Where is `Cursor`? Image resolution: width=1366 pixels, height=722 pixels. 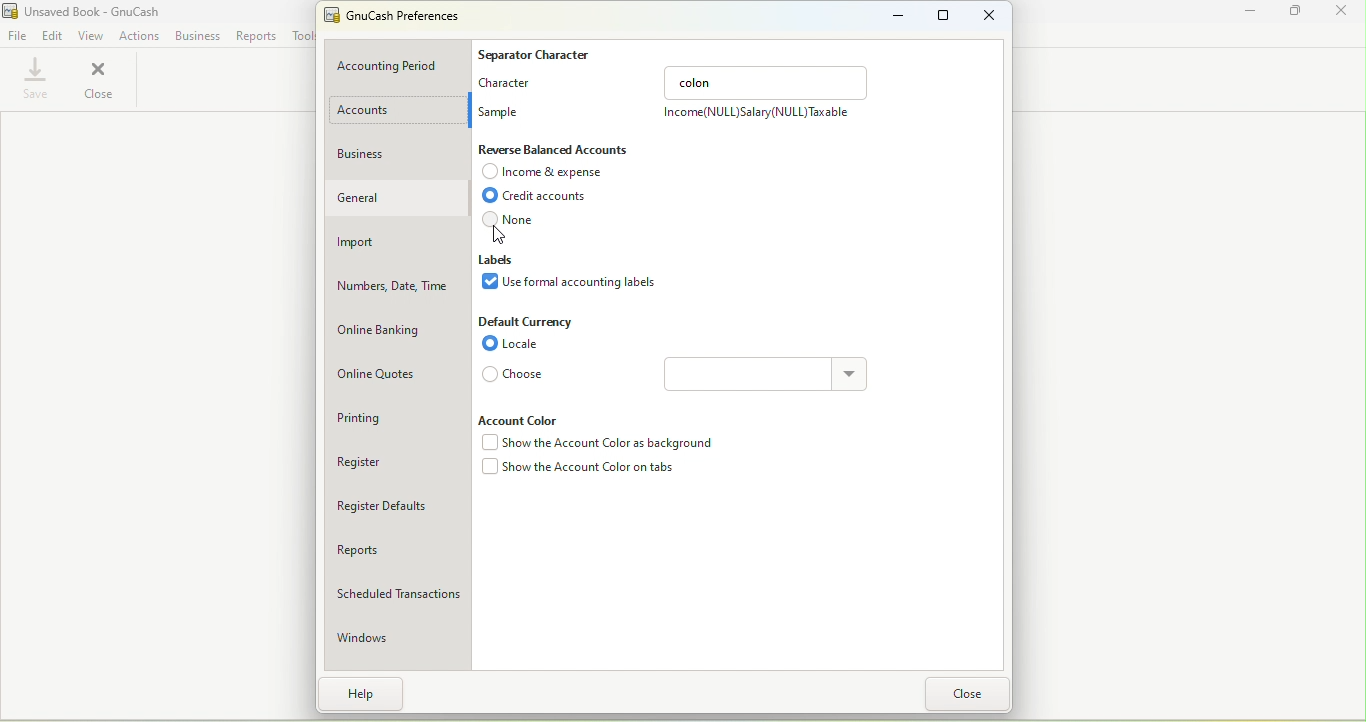 Cursor is located at coordinates (497, 234).